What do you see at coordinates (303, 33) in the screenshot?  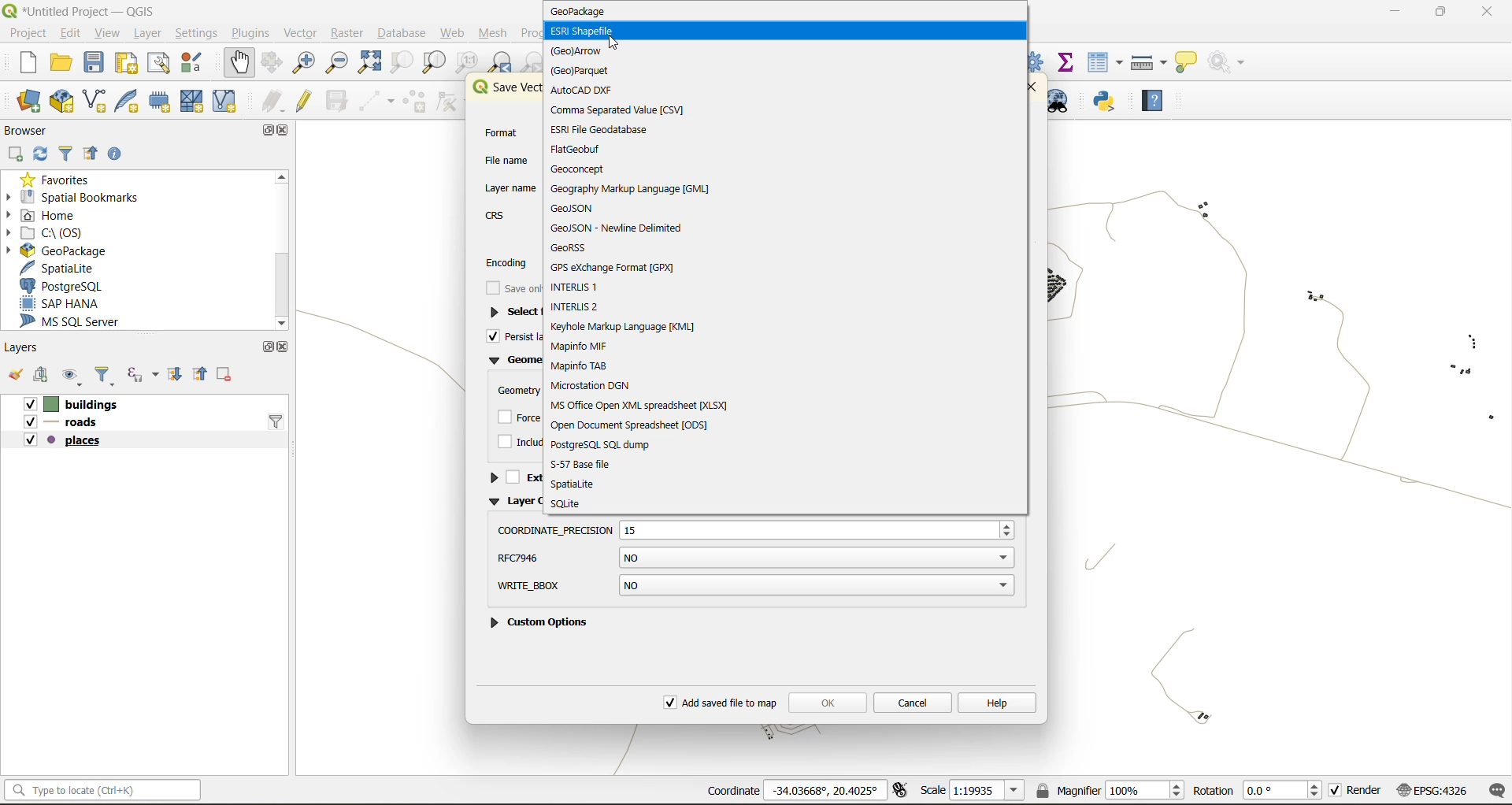 I see `vector` at bounding box center [303, 33].